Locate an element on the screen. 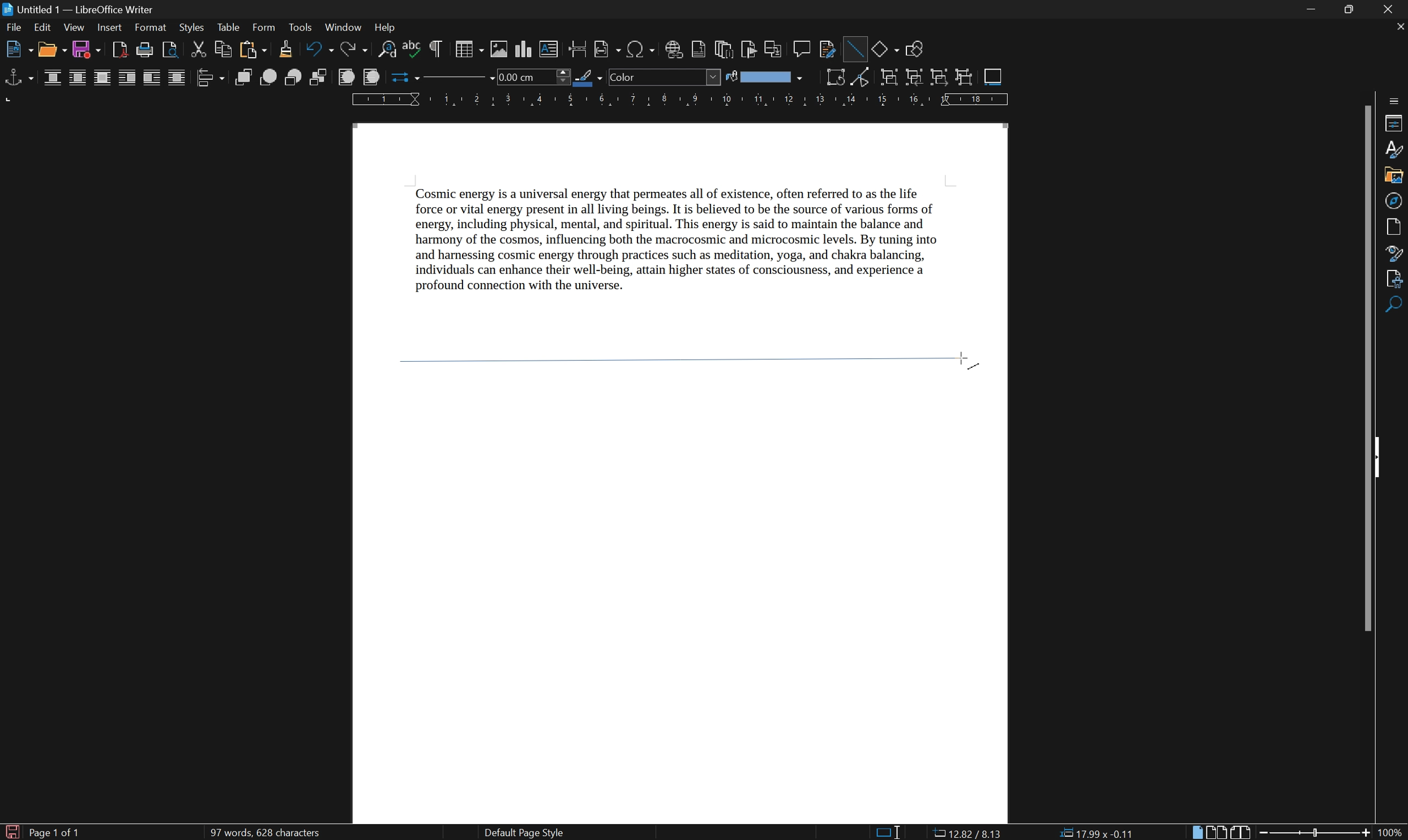  to background is located at coordinates (370, 77).